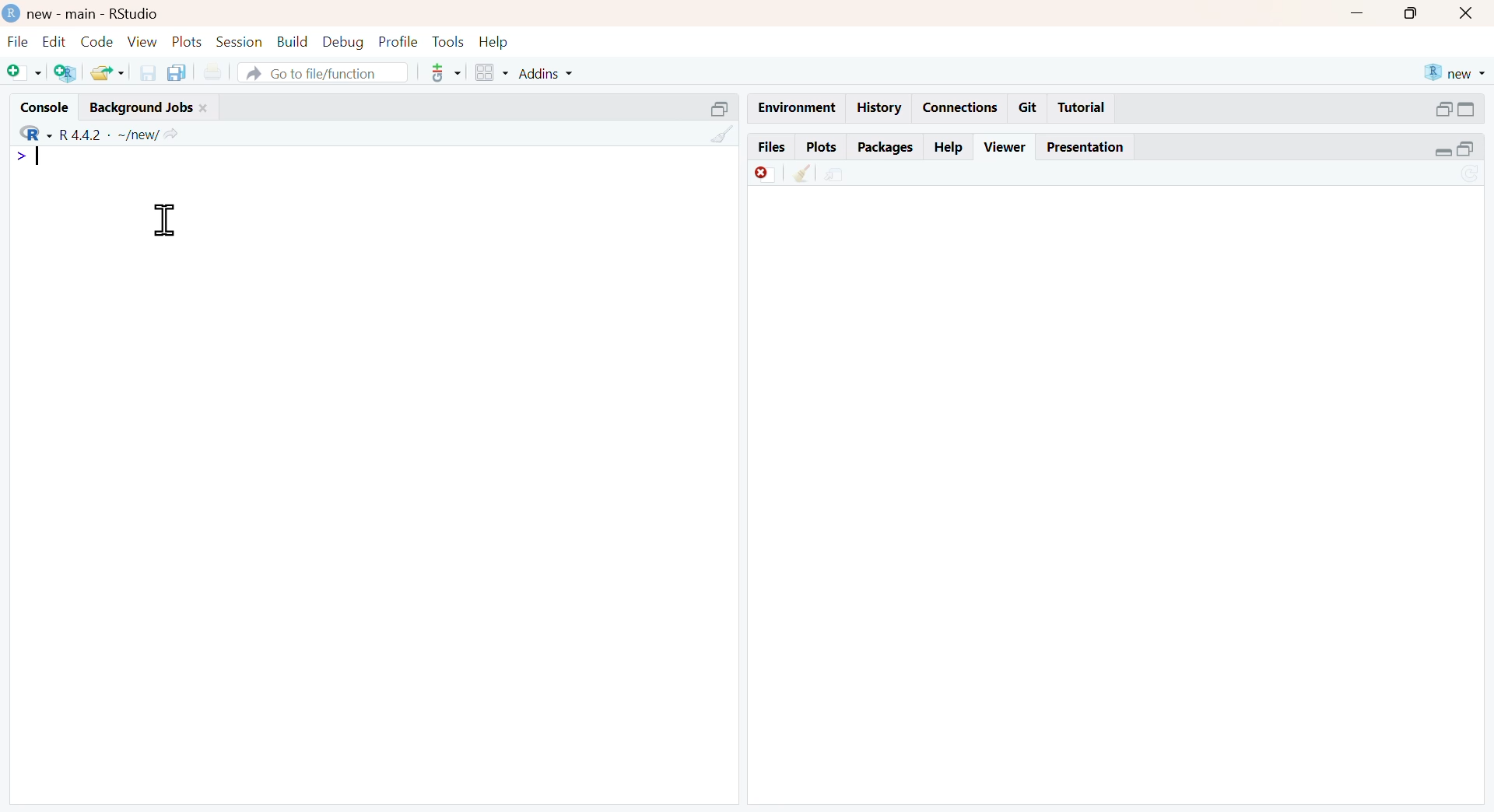  Describe the element at coordinates (1086, 107) in the screenshot. I see `Tutorial` at that location.